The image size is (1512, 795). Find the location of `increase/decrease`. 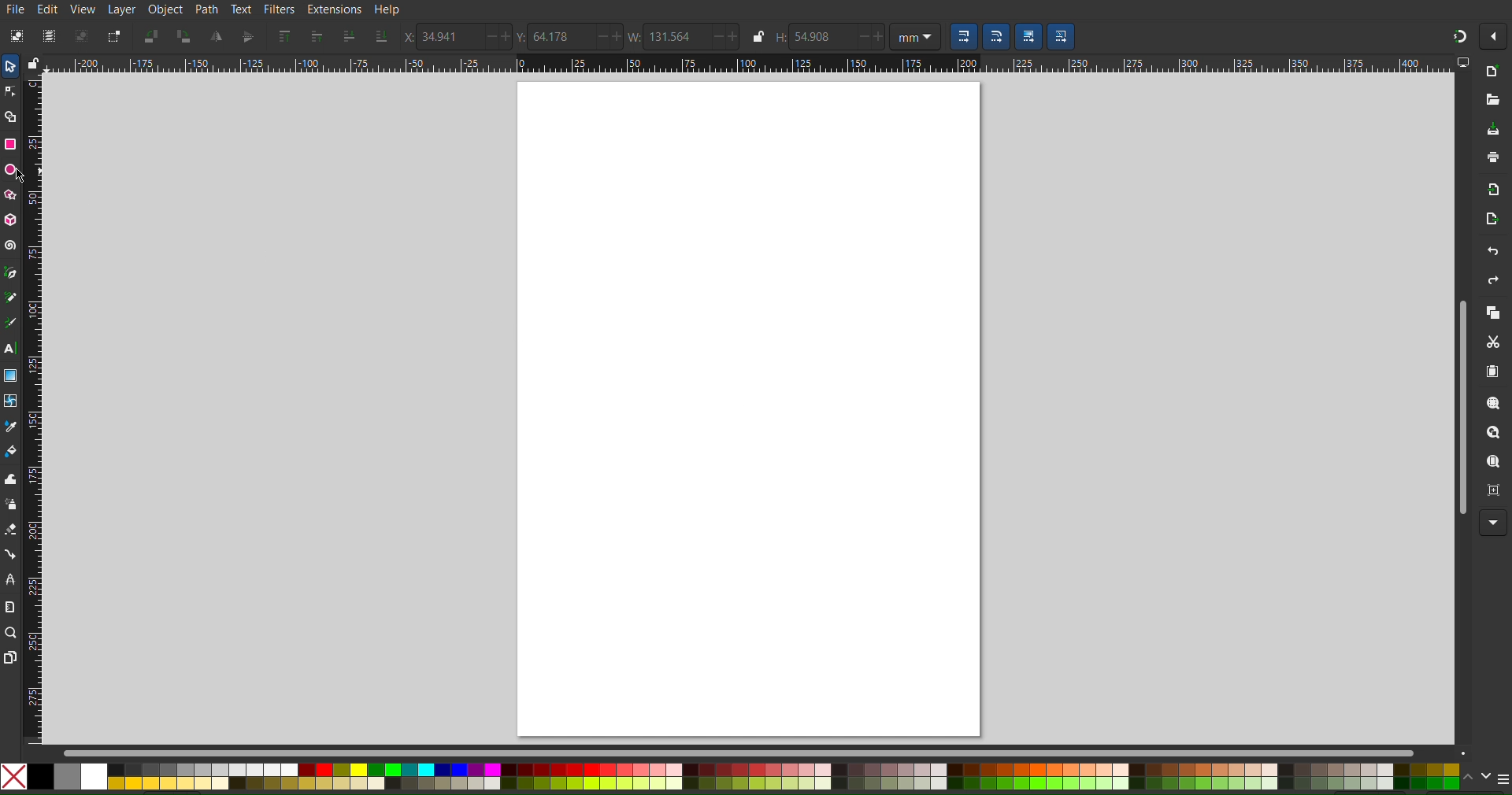

increase/decrease is located at coordinates (871, 38).